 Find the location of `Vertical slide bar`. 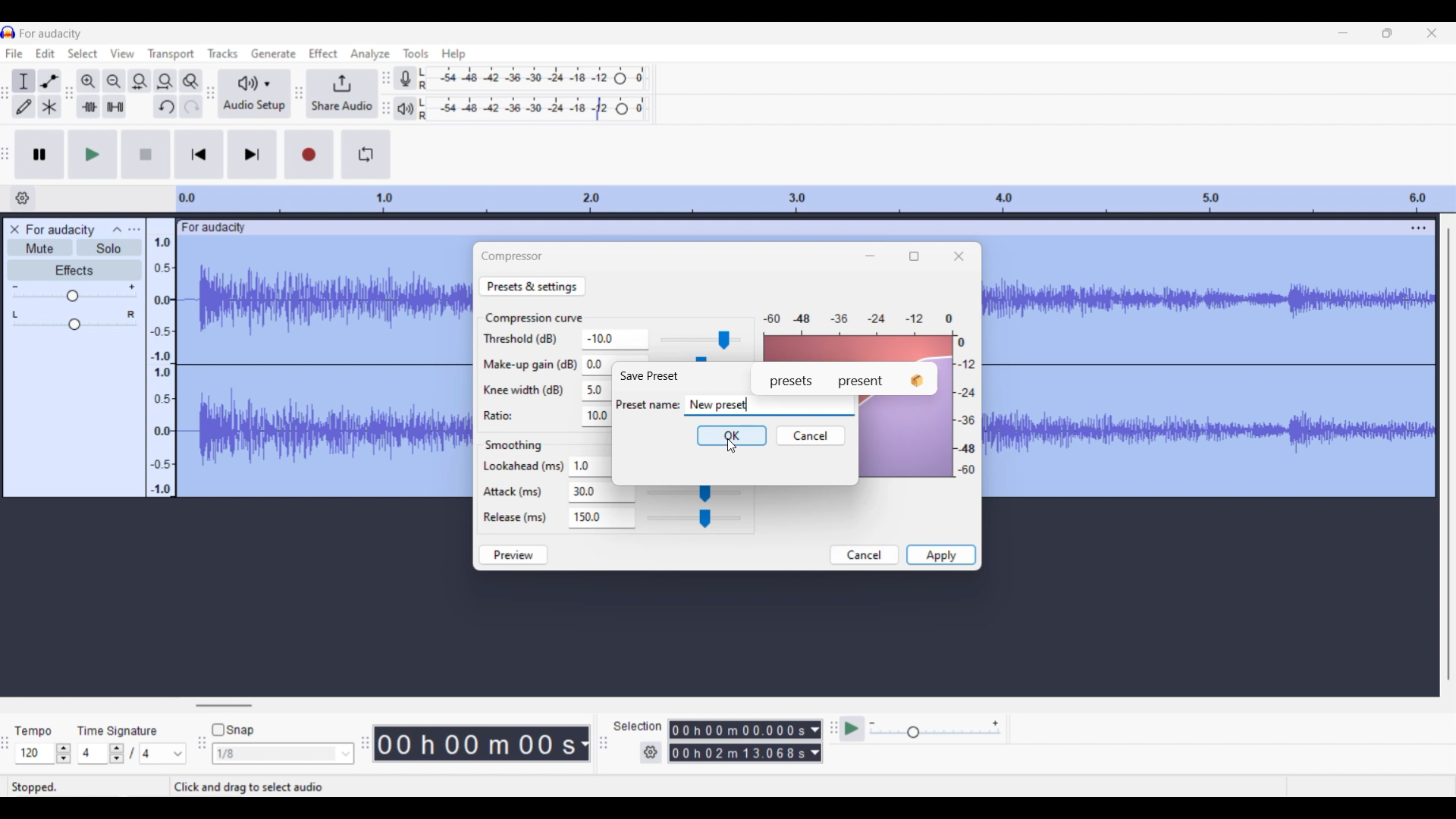

Vertical slide bar is located at coordinates (1449, 456).